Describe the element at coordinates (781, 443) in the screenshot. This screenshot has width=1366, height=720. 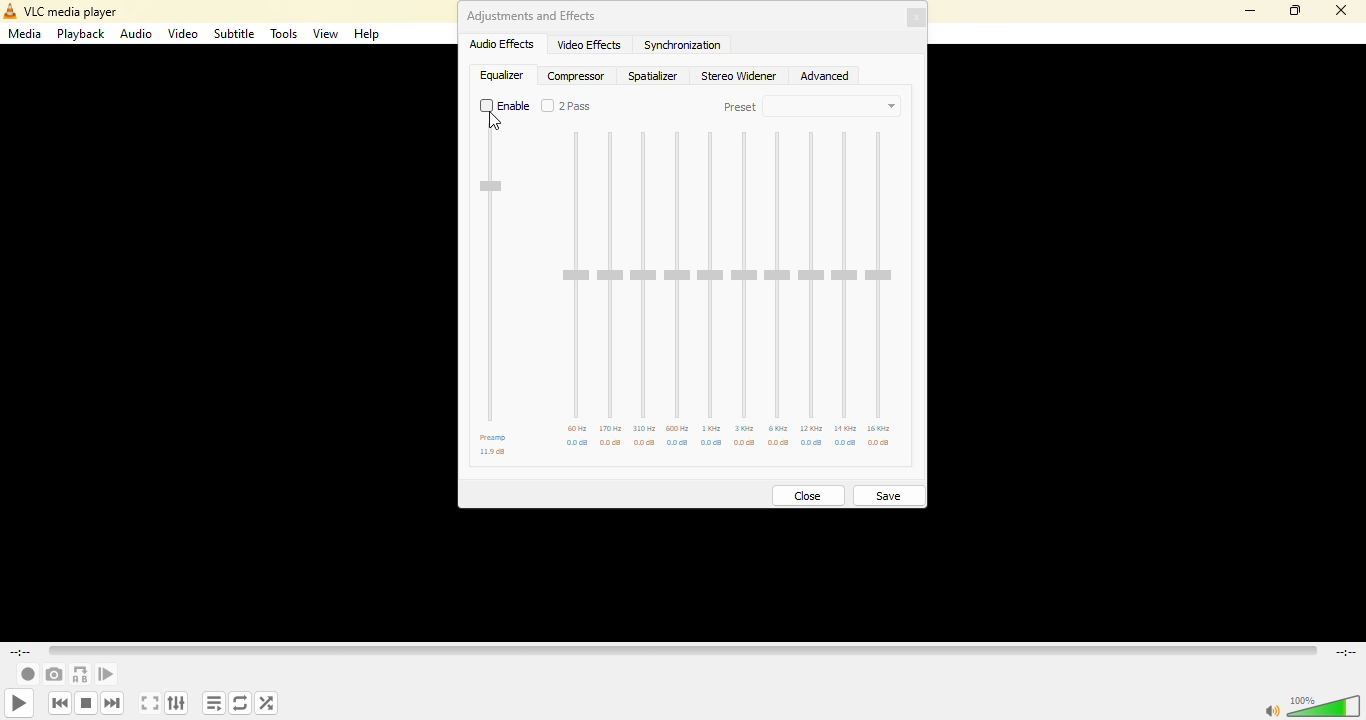
I see `db` at that location.